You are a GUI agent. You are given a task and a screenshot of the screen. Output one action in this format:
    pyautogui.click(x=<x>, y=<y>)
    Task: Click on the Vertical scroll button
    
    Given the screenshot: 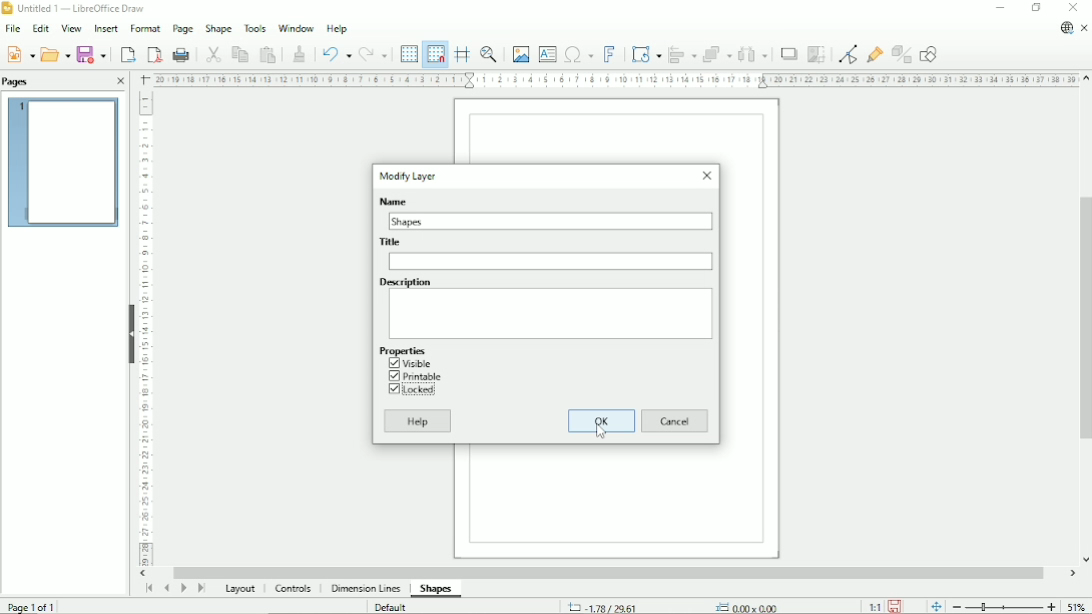 What is the action you would take?
    pyautogui.click(x=1084, y=559)
    